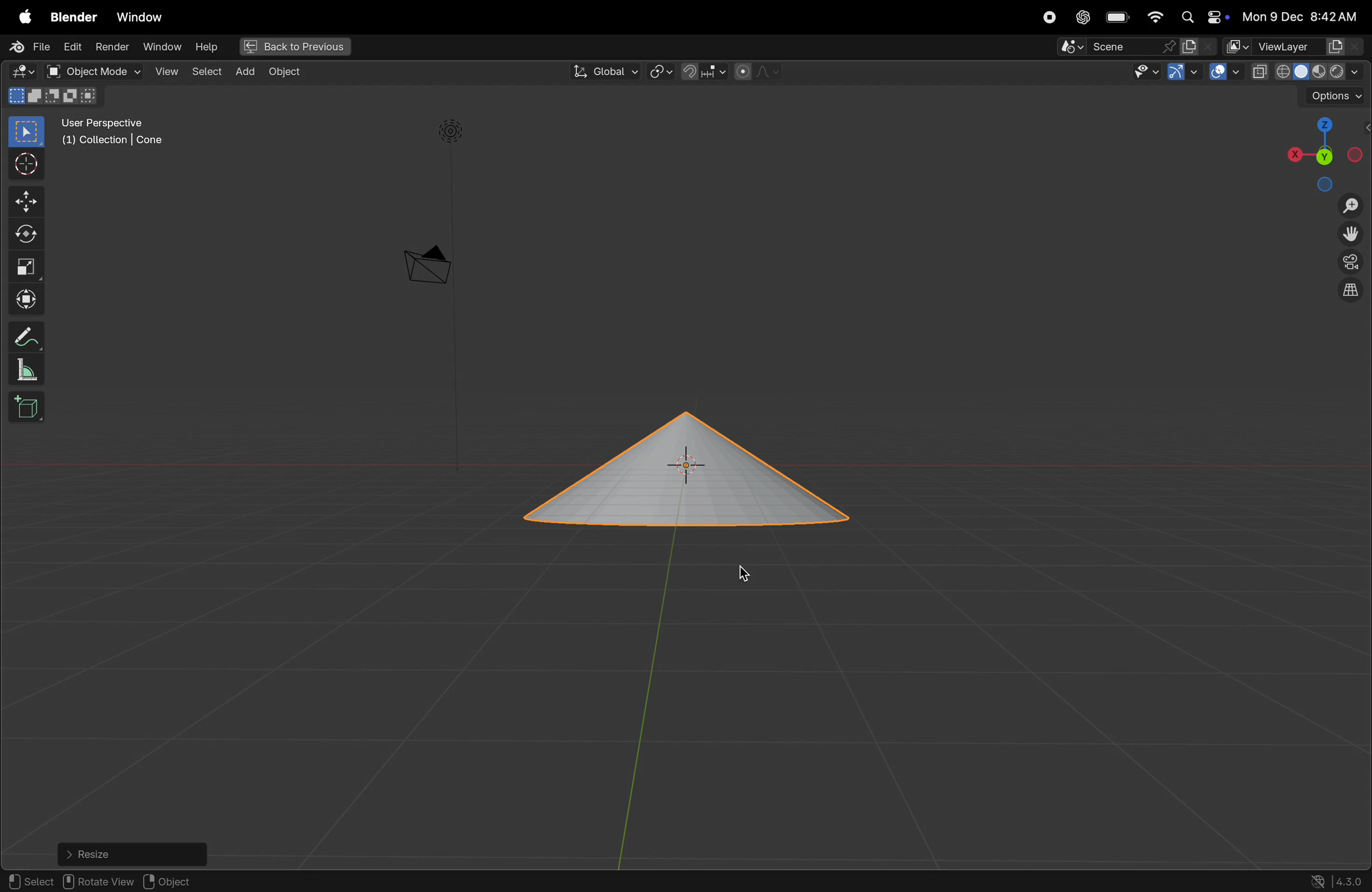 The width and height of the screenshot is (1372, 892). Describe the element at coordinates (1296, 44) in the screenshot. I see `view layer` at that location.